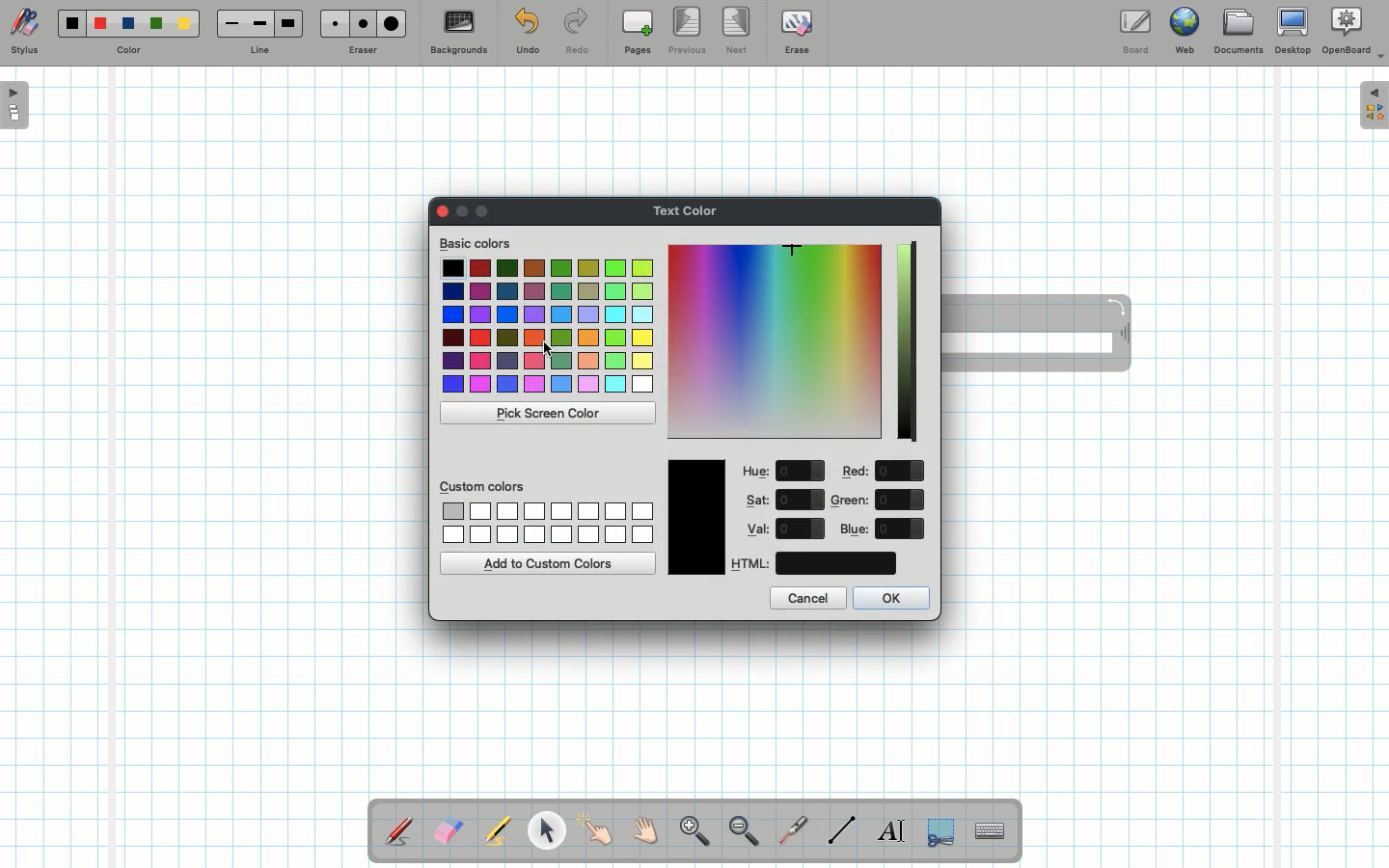 This screenshot has height=868, width=1389. Describe the element at coordinates (184, 23) in the screenshot. I see `Yellow` at that location.